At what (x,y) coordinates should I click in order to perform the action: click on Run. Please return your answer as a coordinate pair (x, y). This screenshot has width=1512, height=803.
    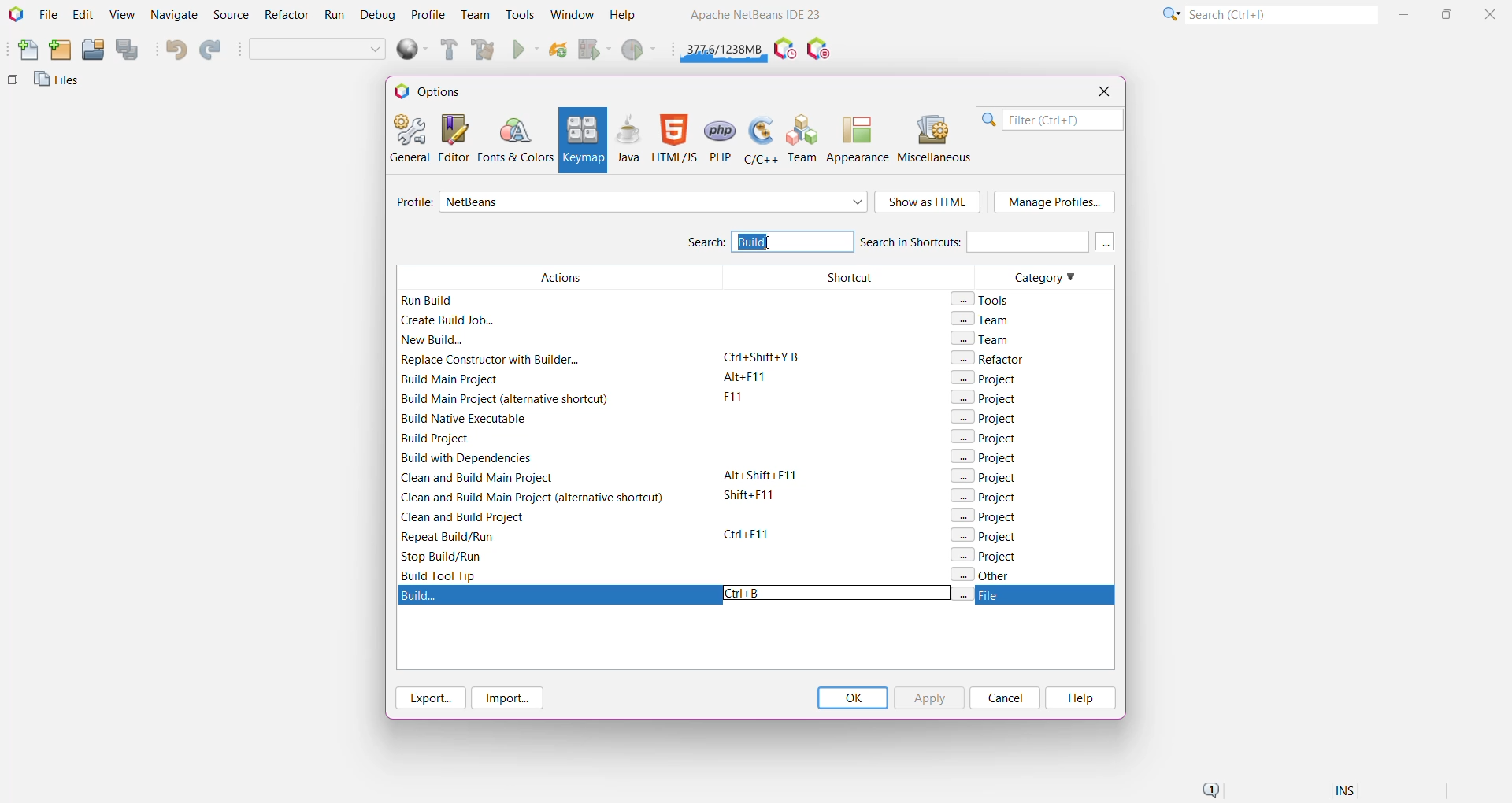
    Looking at the image, I should click on (335, 17).